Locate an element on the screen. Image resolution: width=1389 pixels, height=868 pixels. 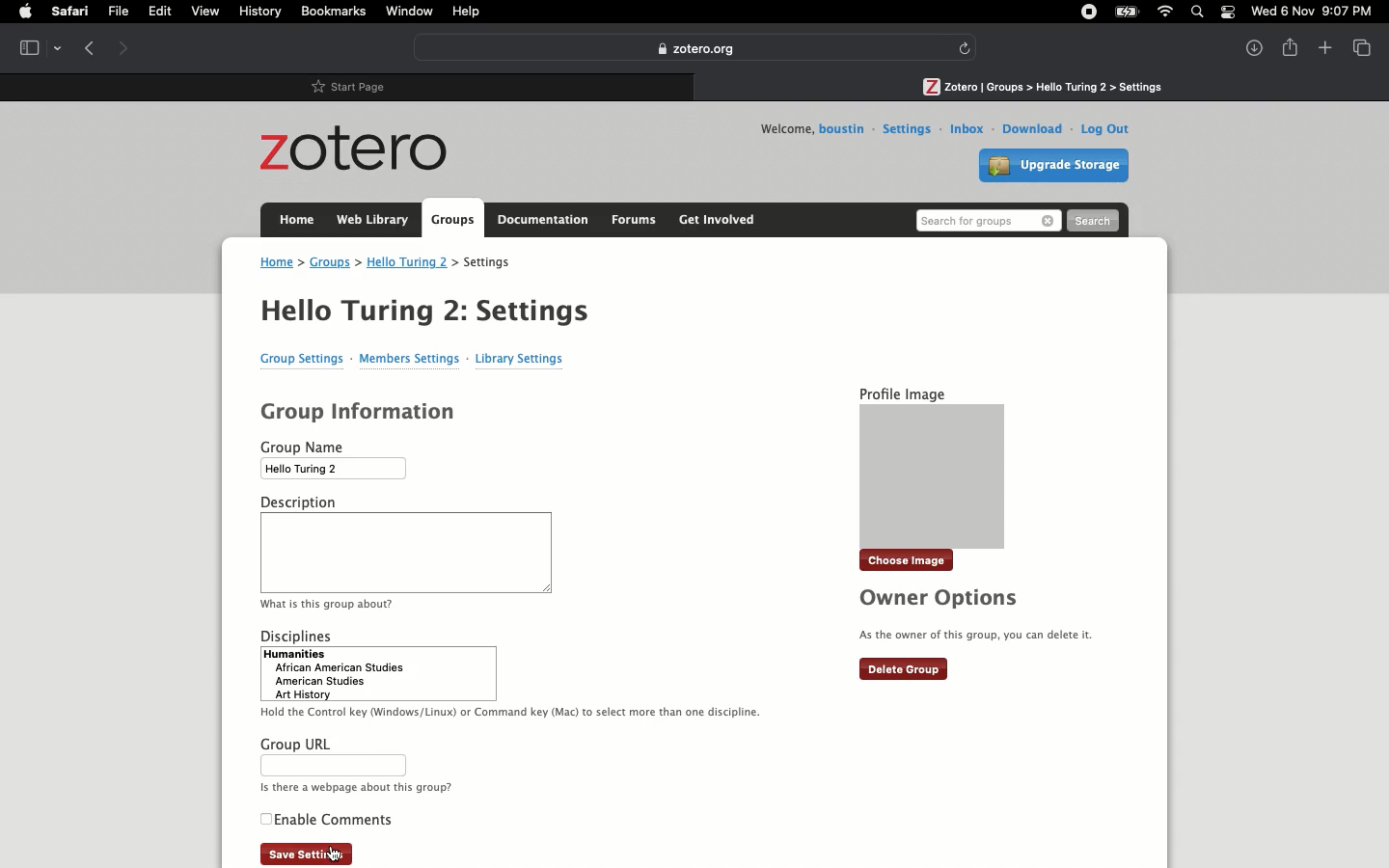
Settings is located at coordinates (907, 129).